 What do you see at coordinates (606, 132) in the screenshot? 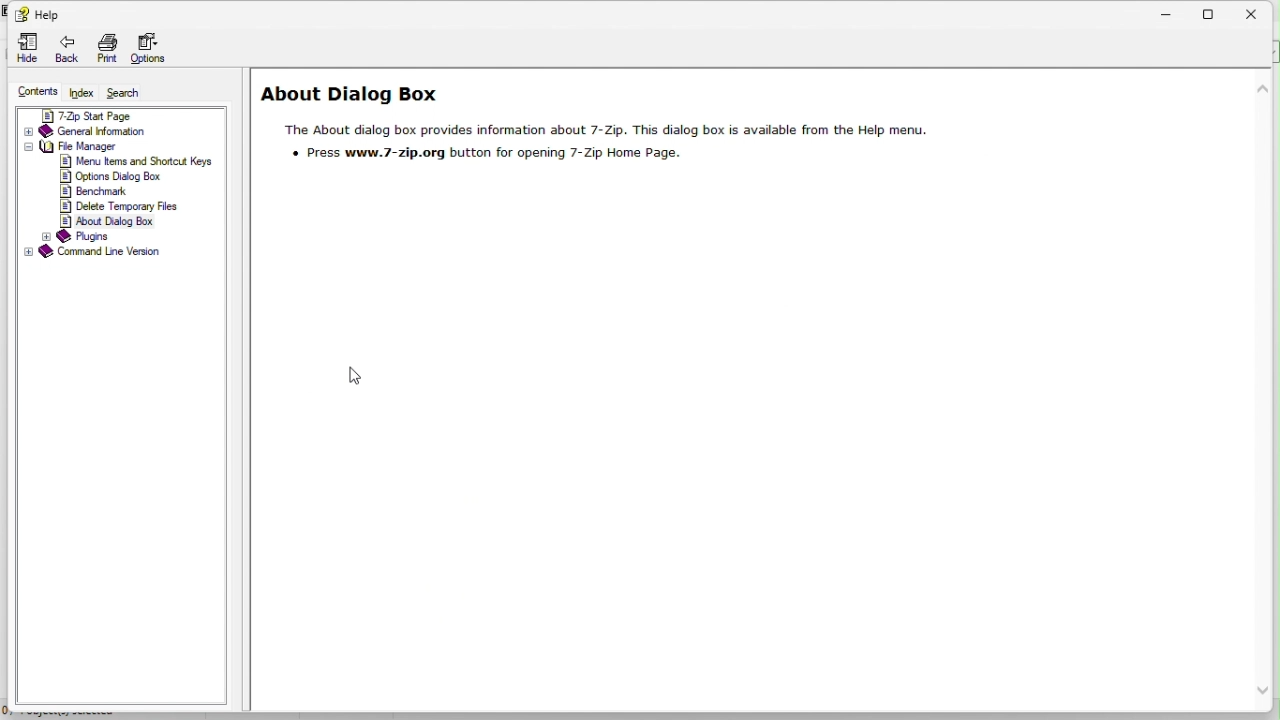
I see ` about dialogue box` at bounding box center [606, 132].